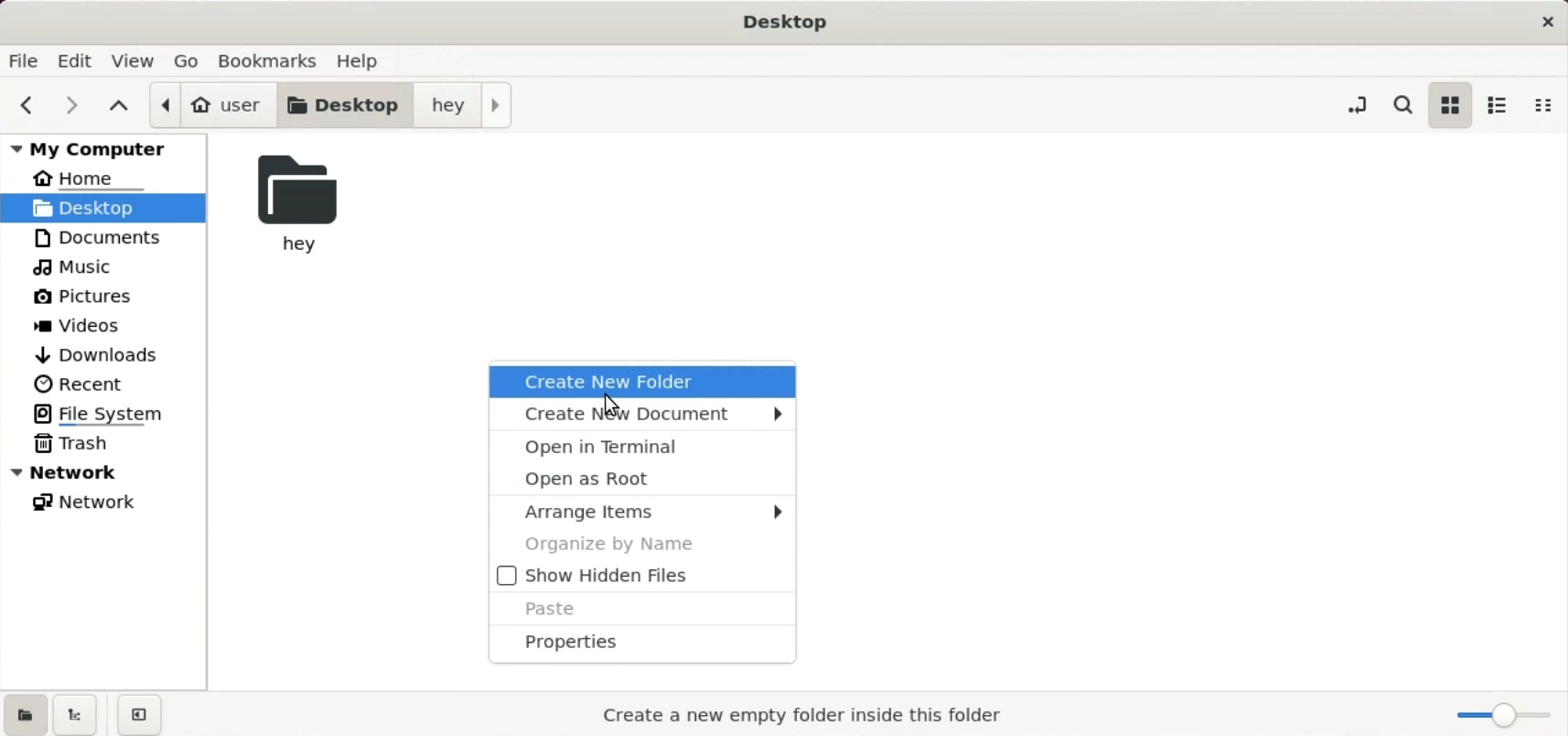  I want to click on help, so click(363, 58).